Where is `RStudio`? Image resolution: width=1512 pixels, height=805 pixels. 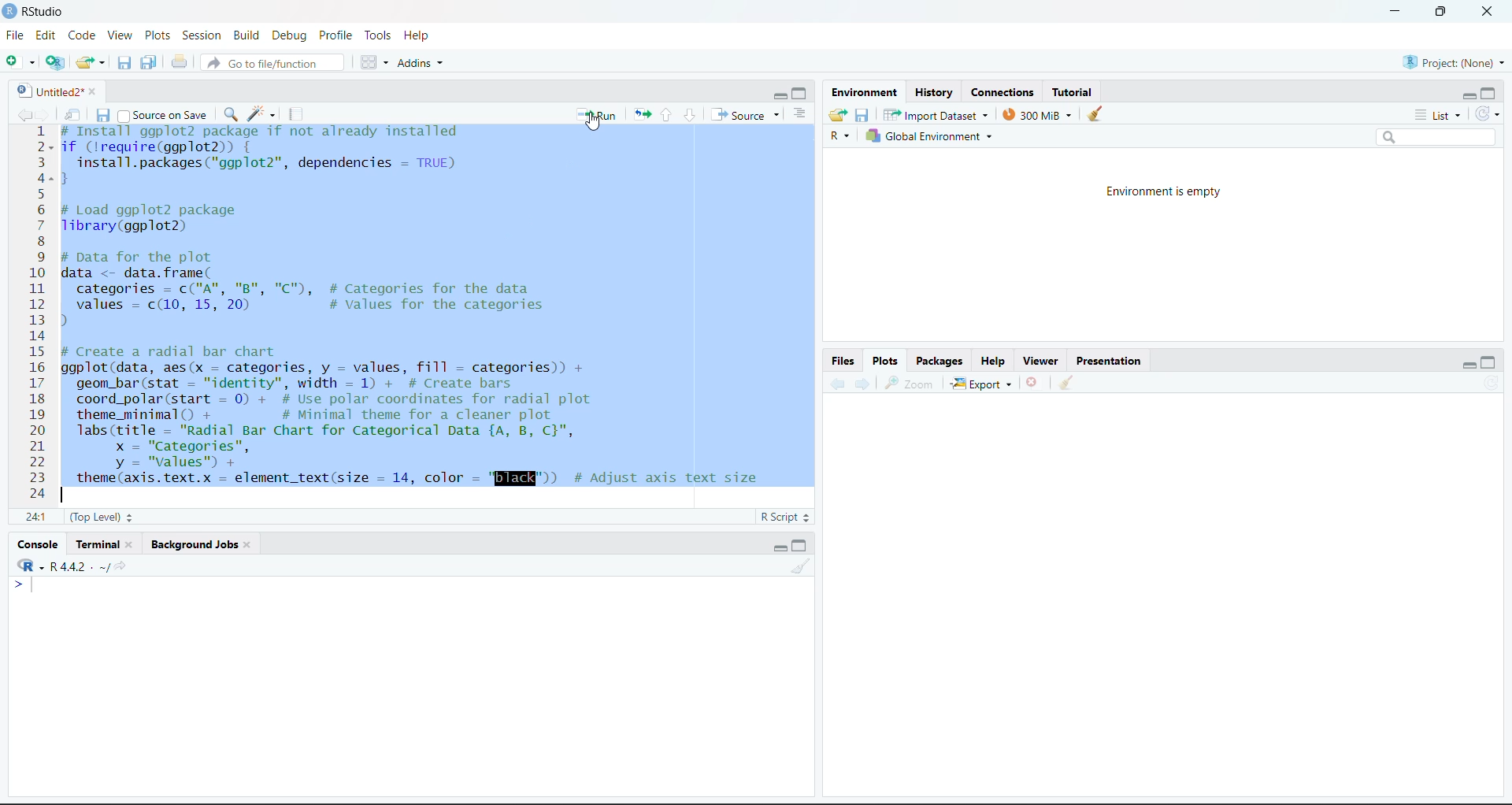
RStudio is located at coordinates (40, 11).